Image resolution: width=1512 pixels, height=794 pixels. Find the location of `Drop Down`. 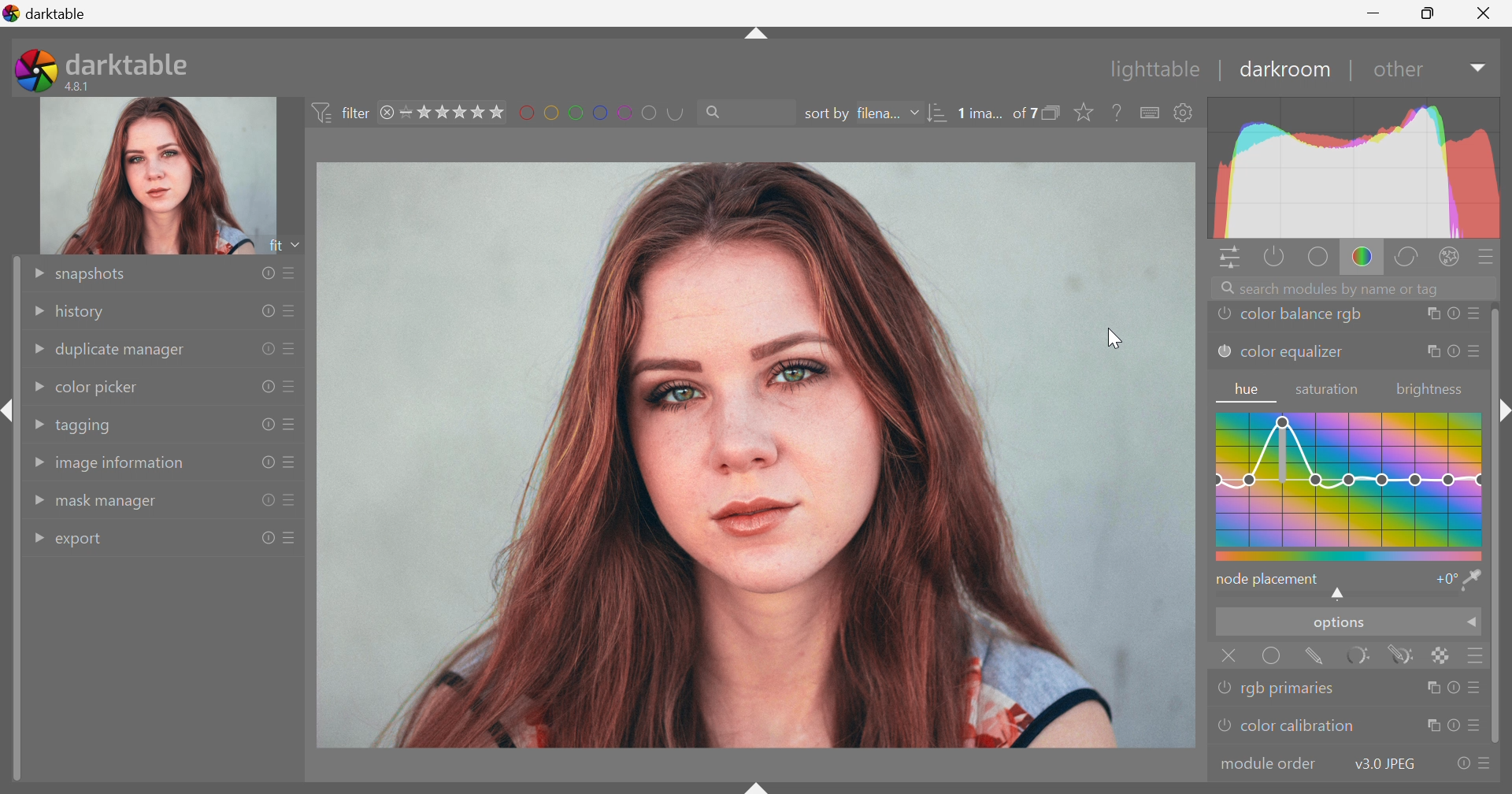

Drop Down is located at coordinates (1476, 69).